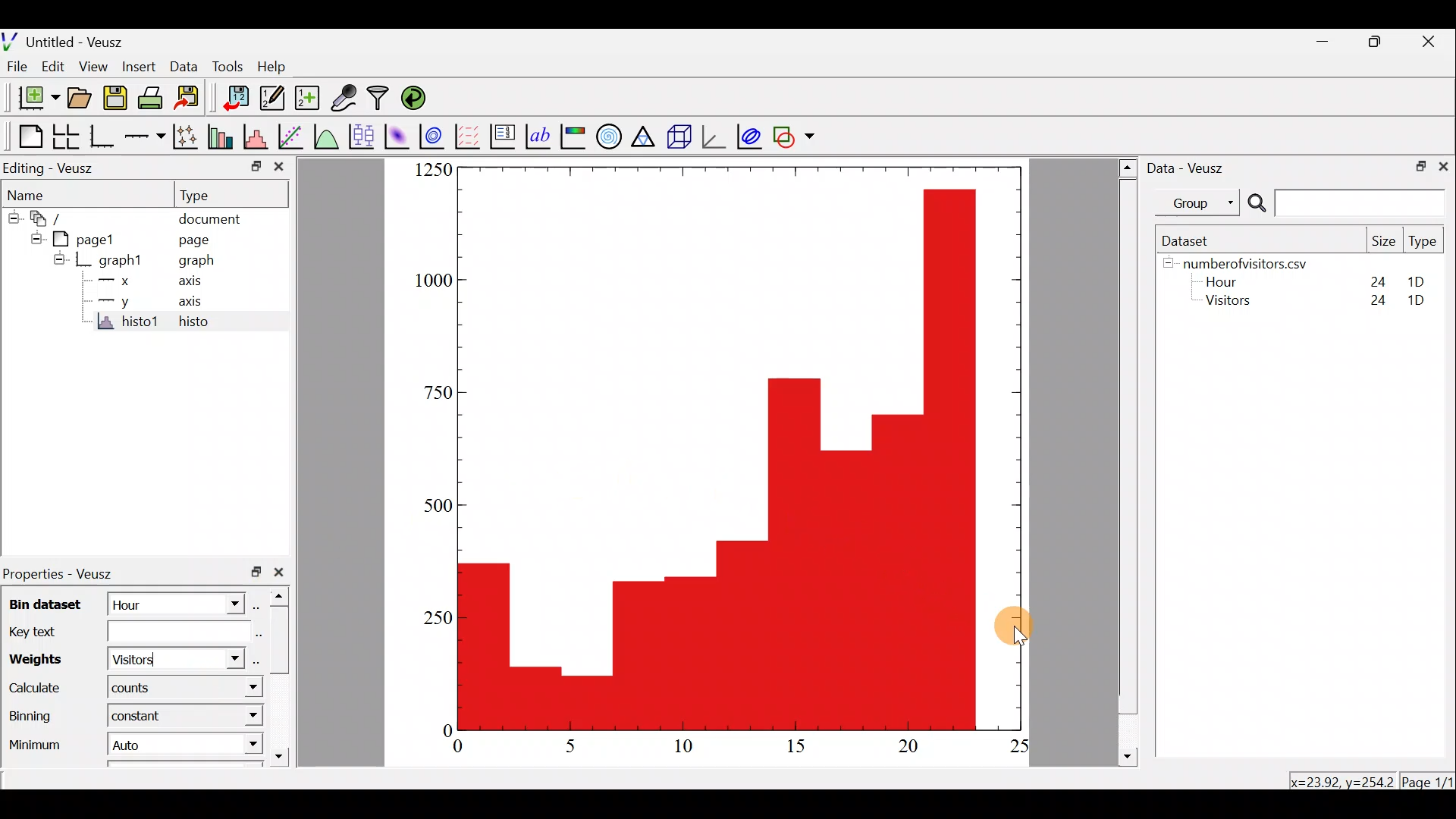 The height and width of the screenshot is (819, 1456). I want to click on Cursor, so click(1029, 628).